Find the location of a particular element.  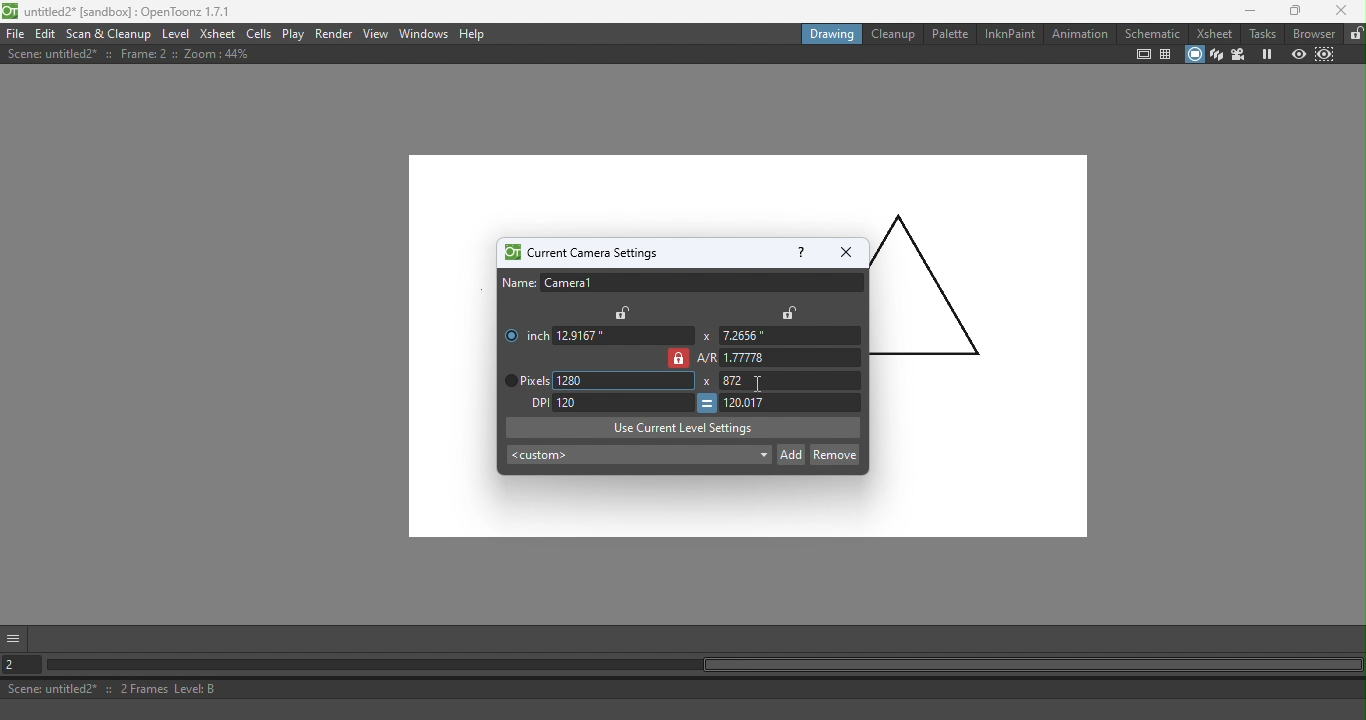

Enter pixels is located at coordinates (626, 381).